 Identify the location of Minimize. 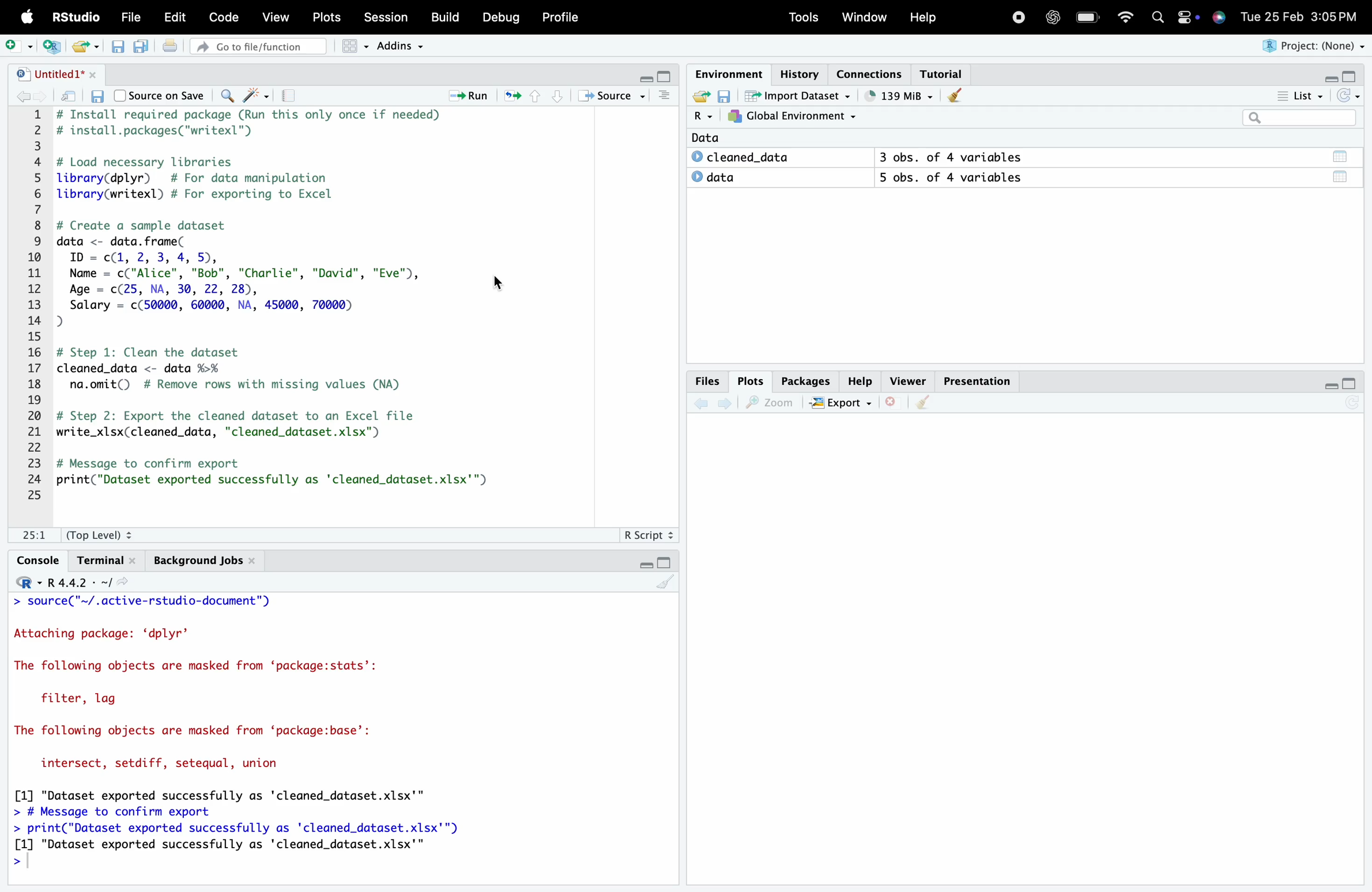
(646, 565).